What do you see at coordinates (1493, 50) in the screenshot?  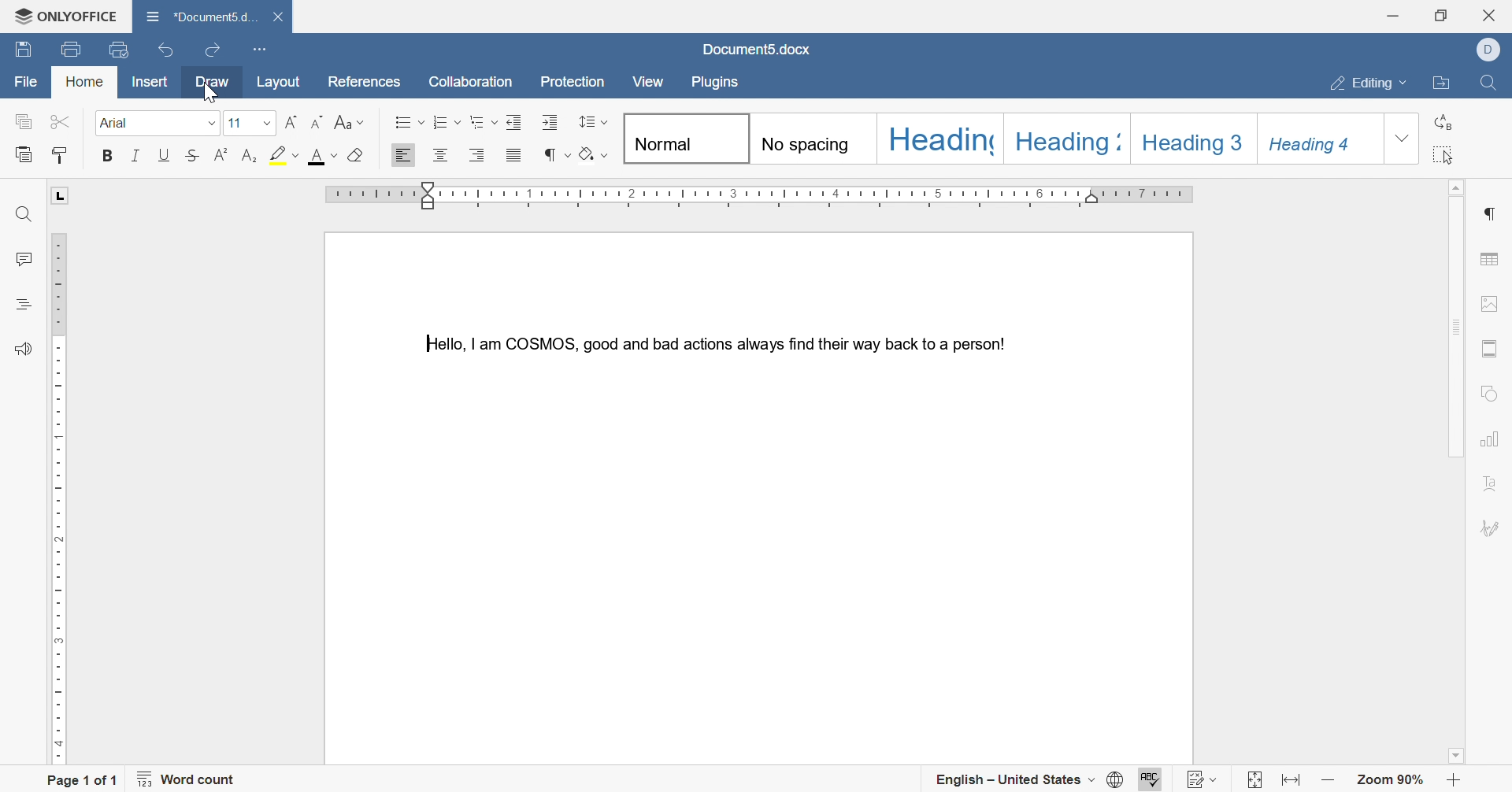 I see `Account` at bounding box center [1493, 50].